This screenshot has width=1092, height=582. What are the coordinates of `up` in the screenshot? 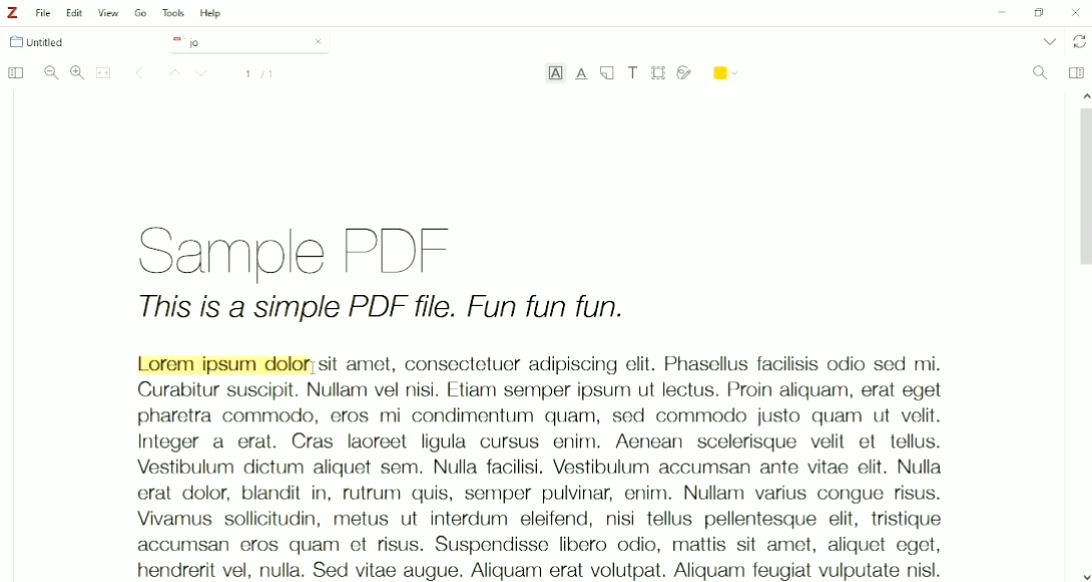 It's located at (1082, 94).